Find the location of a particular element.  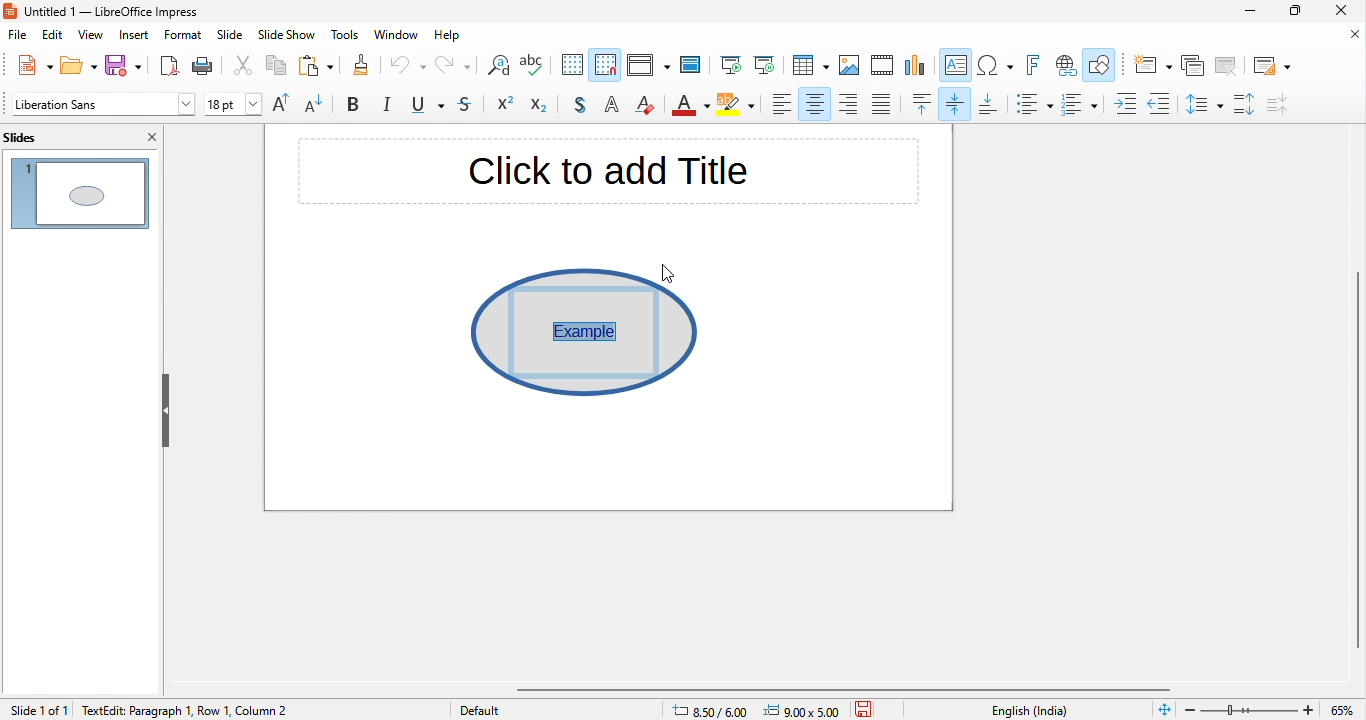

align bottom is located at coordinates (989, 105).